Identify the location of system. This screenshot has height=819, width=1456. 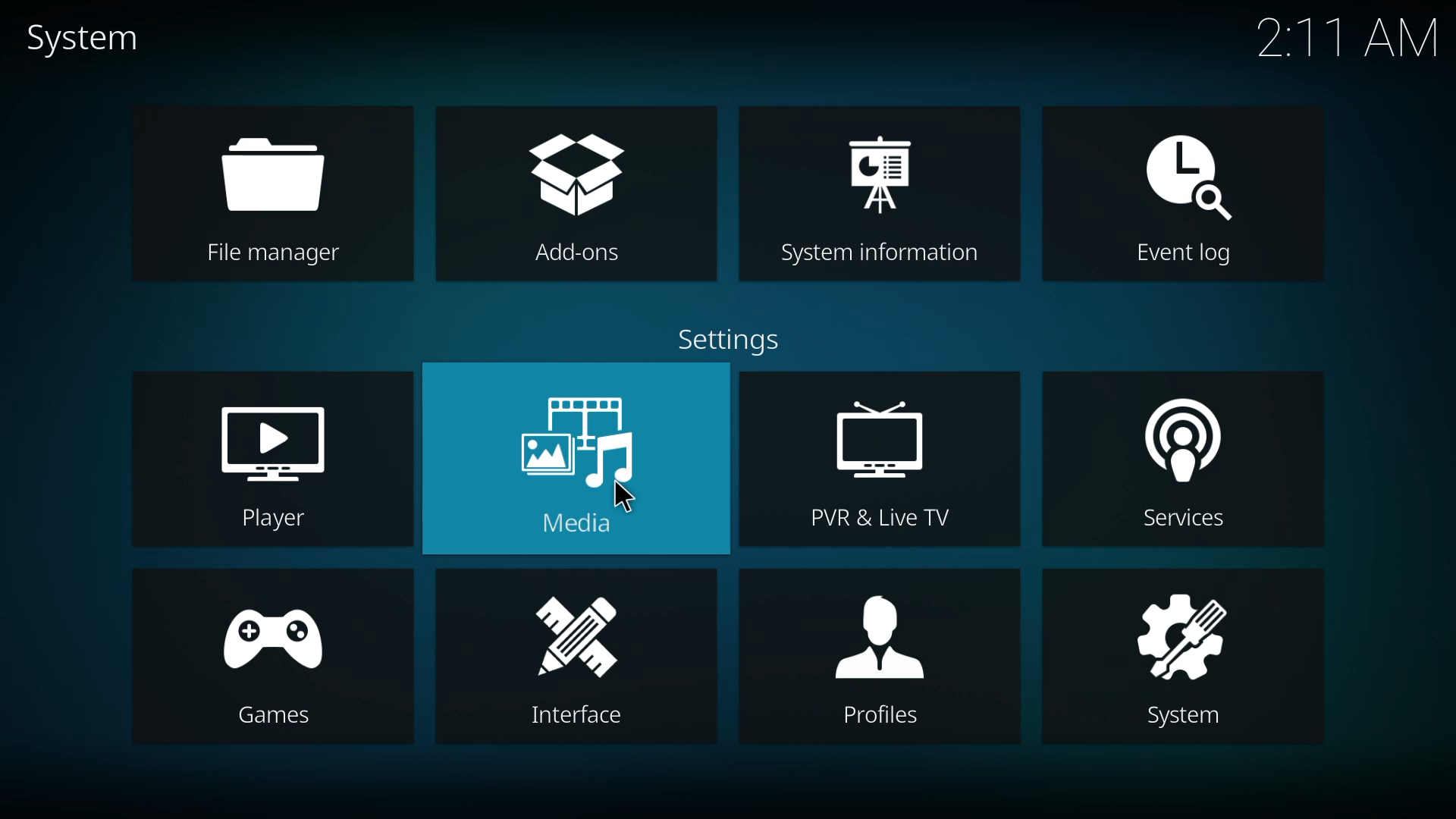
(89, 36).